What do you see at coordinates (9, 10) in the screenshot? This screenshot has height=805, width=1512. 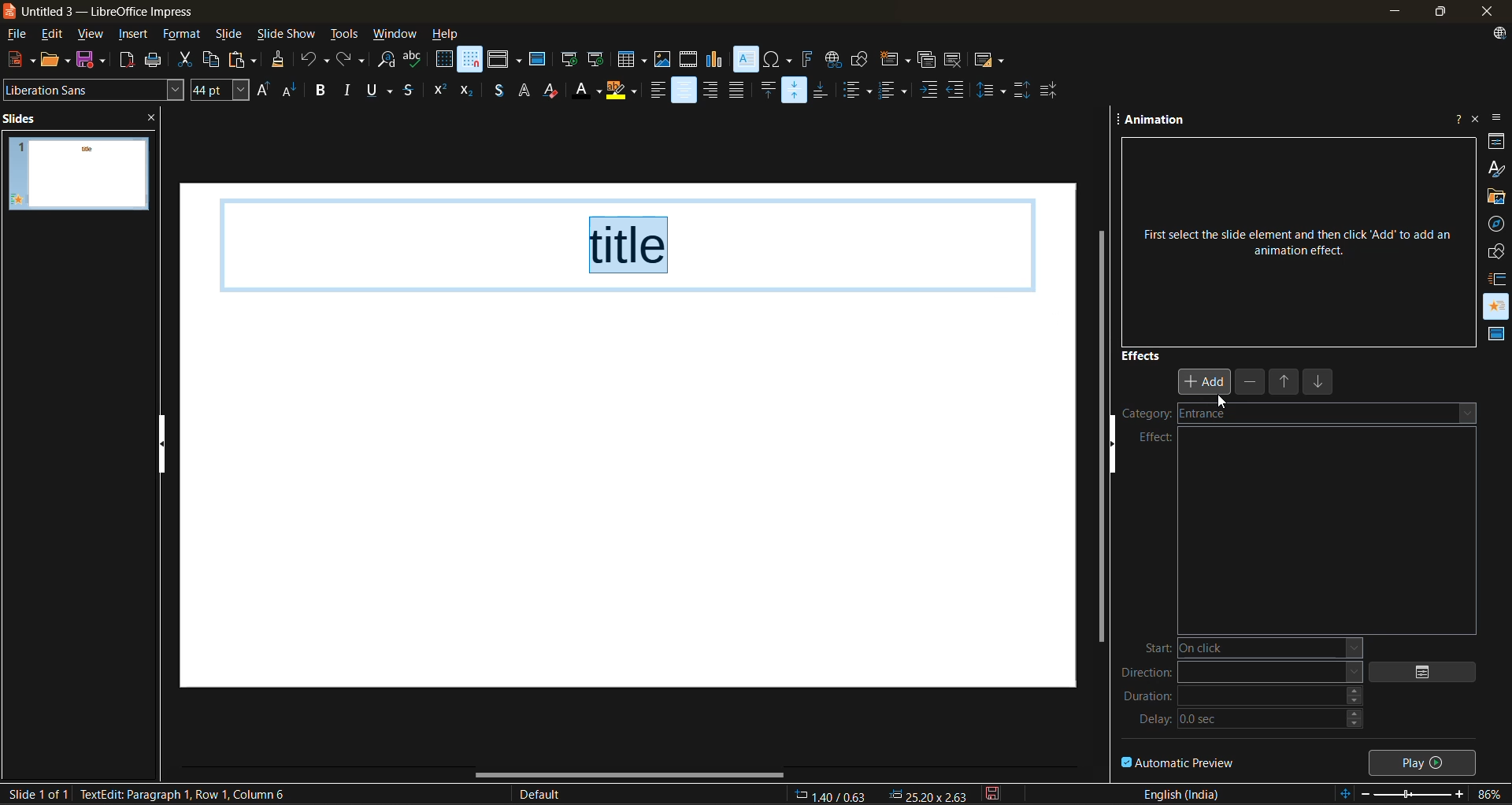 I see `logo` at bounding box center [9, 10].